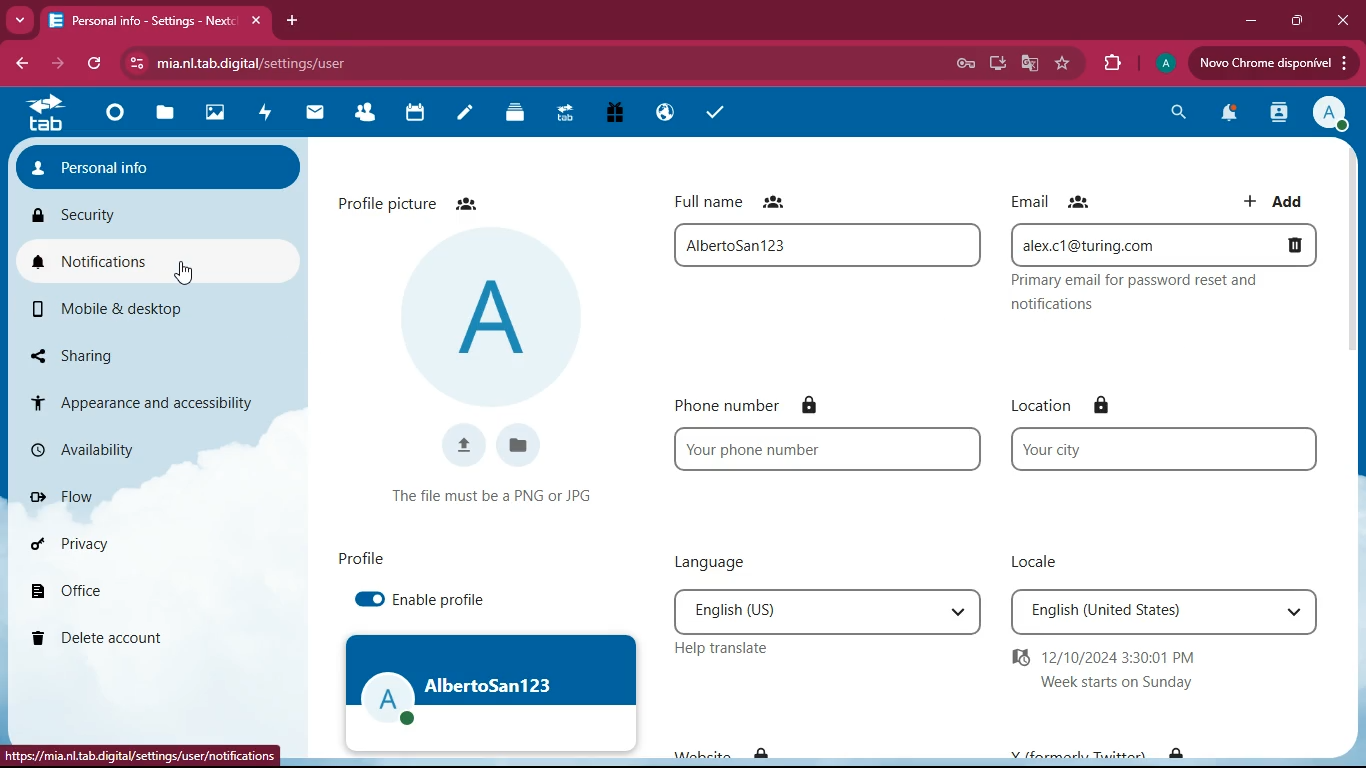 Image resolution: width=1366 pixels, height=768 pixels. Describe the element at coordinates (518, 115) in the screenshot. I see `layers` at that location.